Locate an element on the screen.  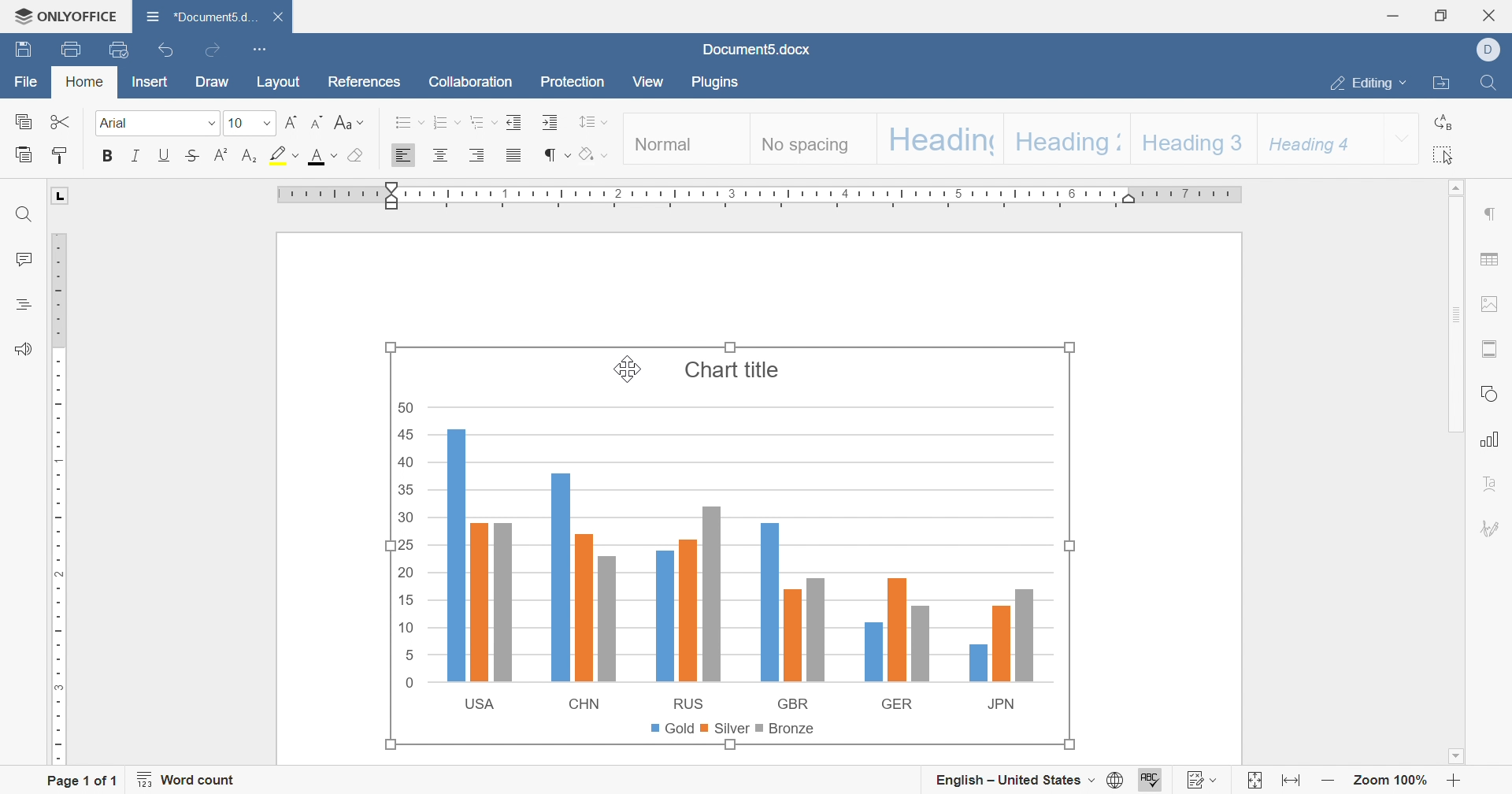
decrease indent is located at coordinates (513, 122).